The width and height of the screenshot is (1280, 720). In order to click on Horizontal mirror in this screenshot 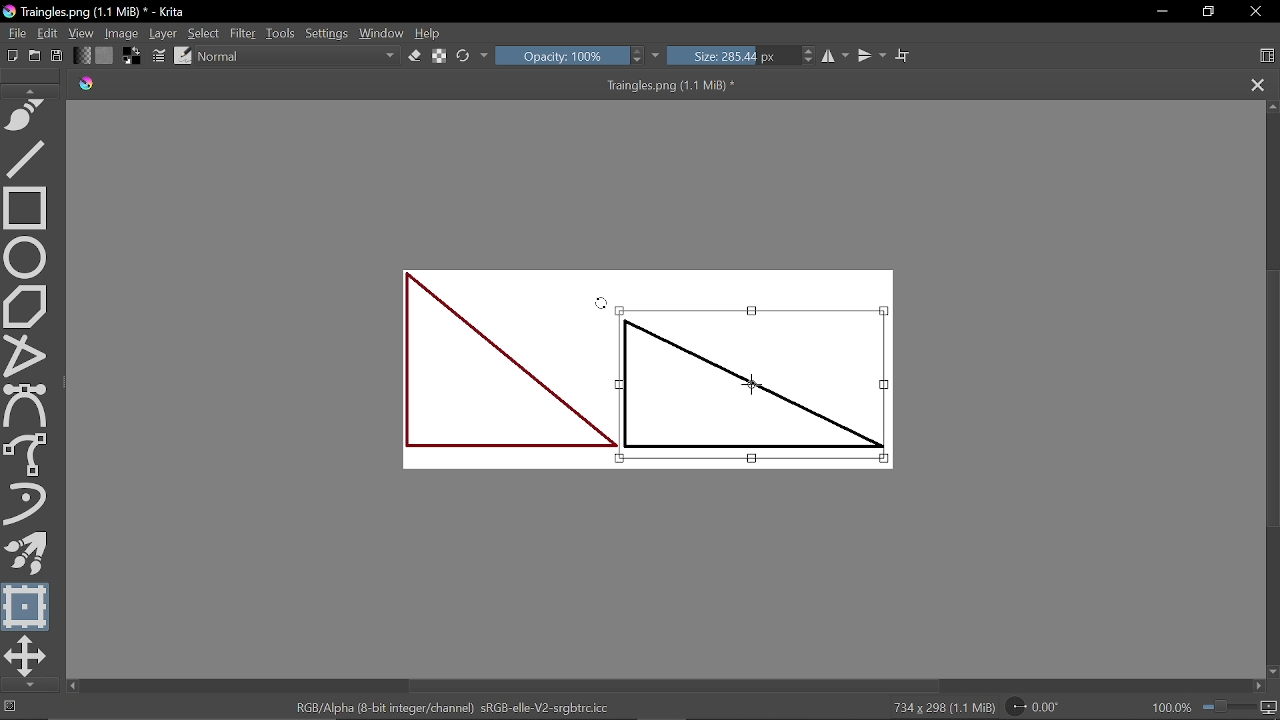, I will do `click(836, 56)`.